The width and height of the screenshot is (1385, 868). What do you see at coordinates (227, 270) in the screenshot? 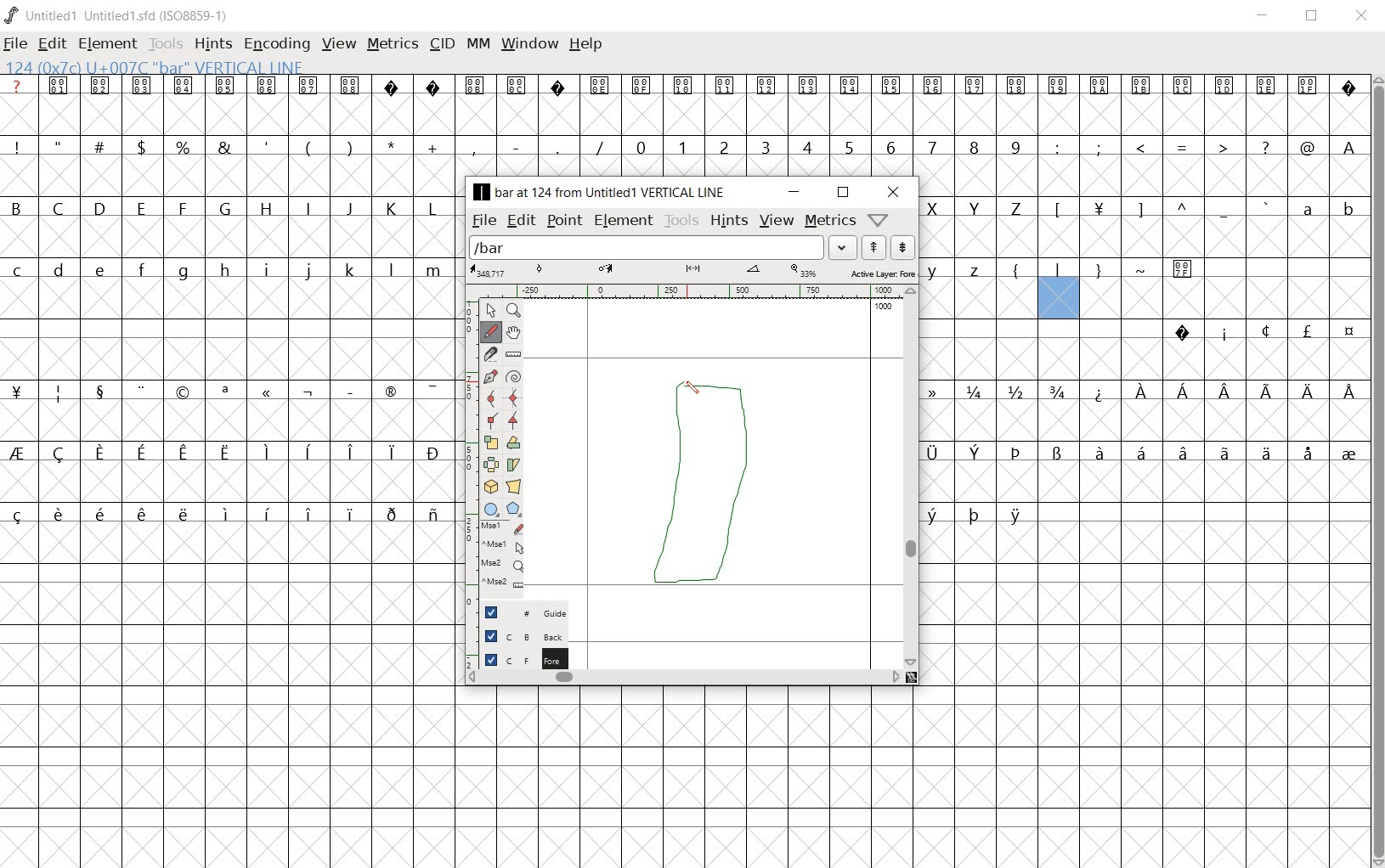
I see `letters and symbols` at bounding box center [227, 270].